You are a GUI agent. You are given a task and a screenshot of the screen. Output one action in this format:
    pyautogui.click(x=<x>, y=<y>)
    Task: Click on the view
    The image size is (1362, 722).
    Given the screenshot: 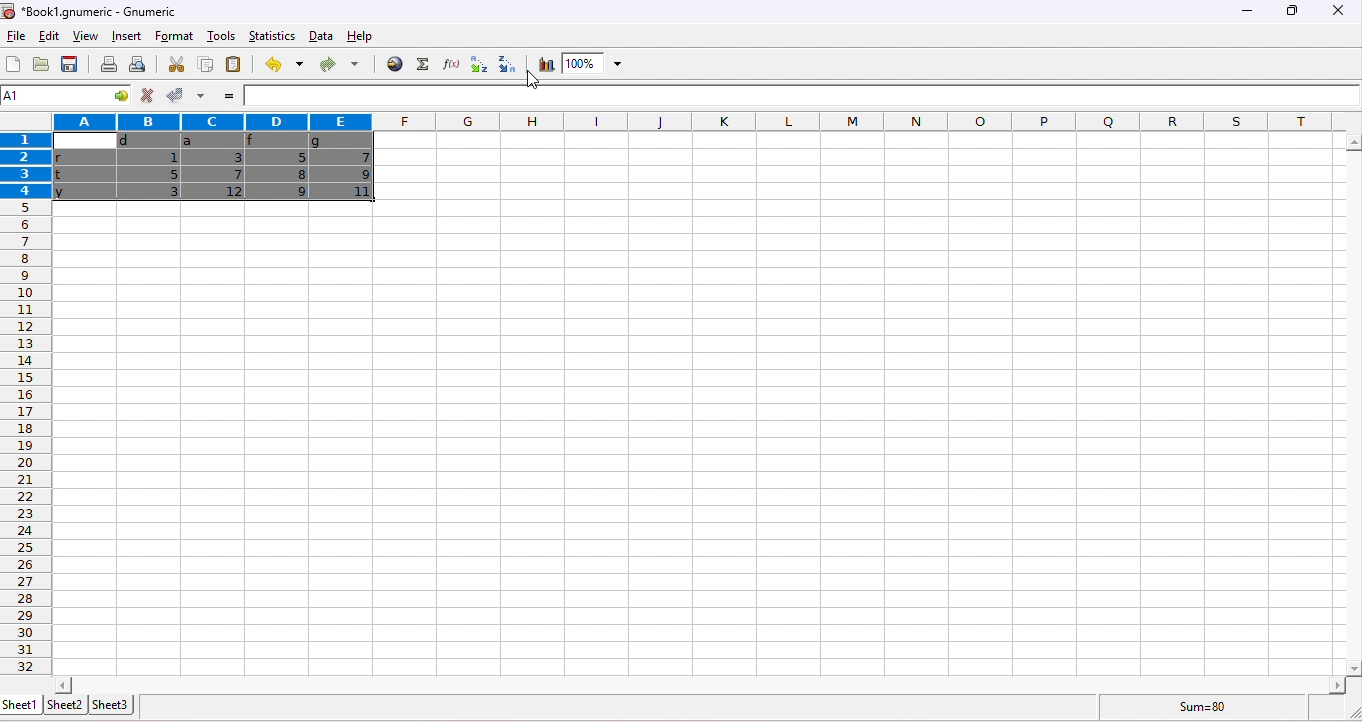 What is the action you would take?
    pyautogui.click(x=85, y=36)
    